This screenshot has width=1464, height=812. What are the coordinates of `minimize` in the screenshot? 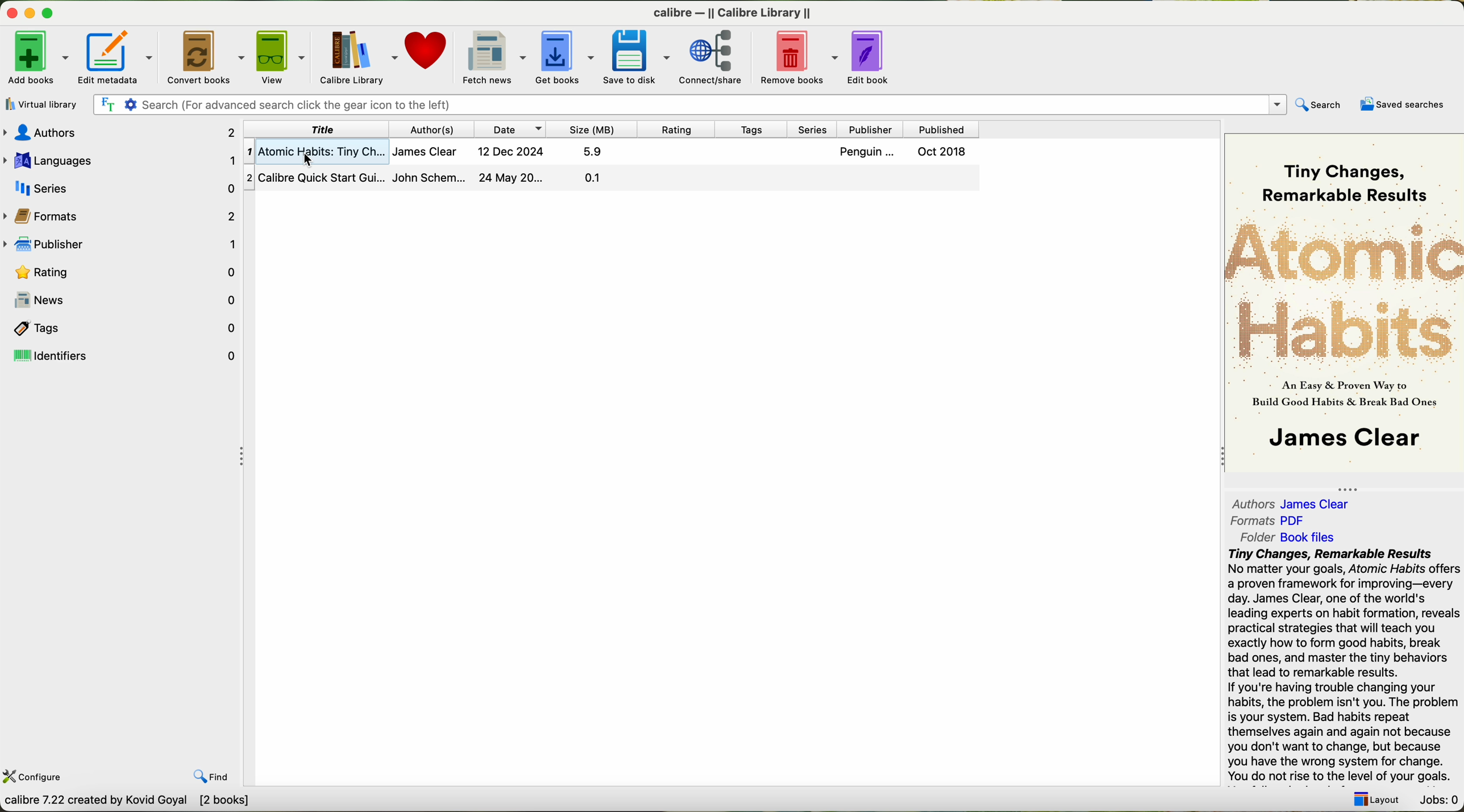 It's located at (30, 11).